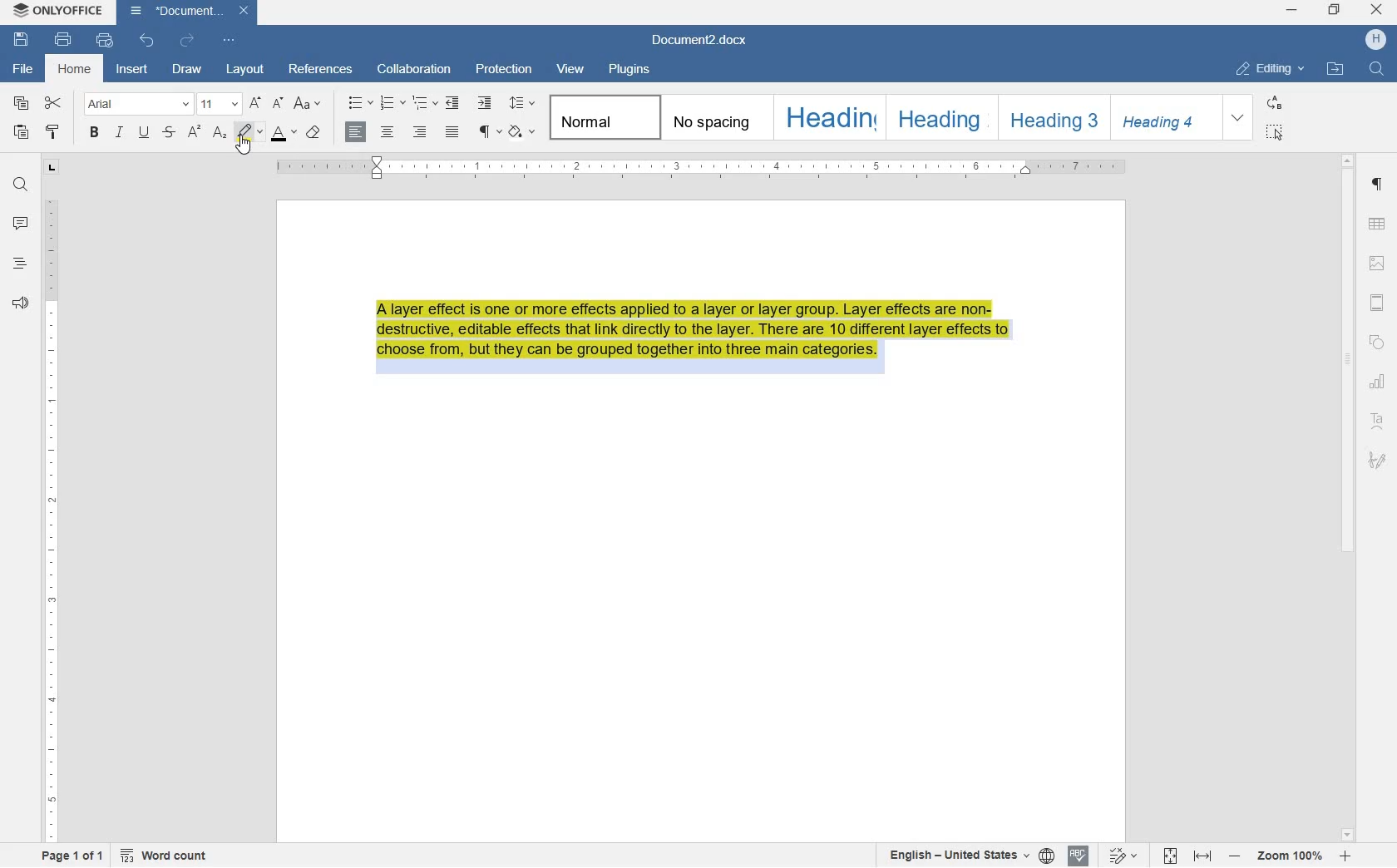  What do you see at coordinates (53, 131) in the screenshot?
I see `COPY STYLE` at bounding box center [53, 131].